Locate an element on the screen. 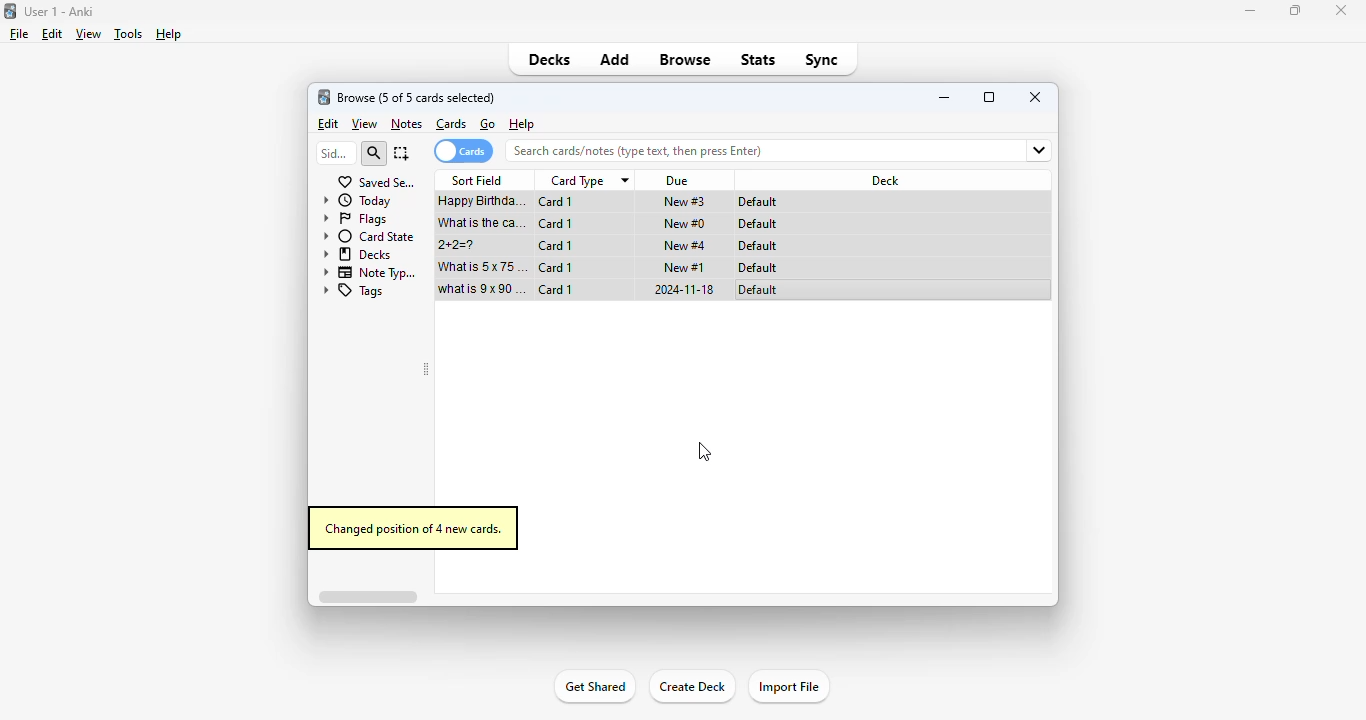  cards is located at coordinates (451, 124).